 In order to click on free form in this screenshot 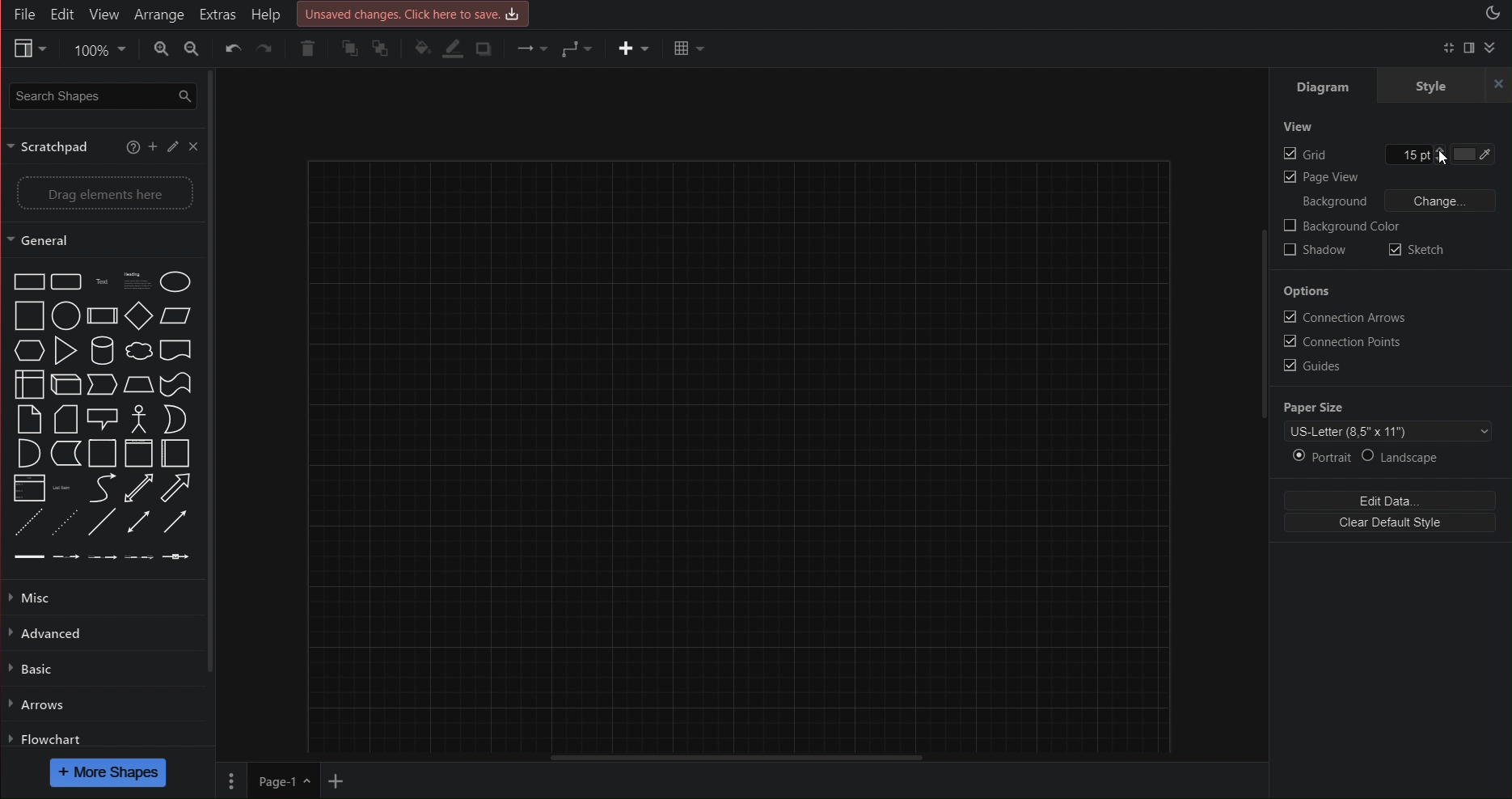, I will do `click(94, 486)`.